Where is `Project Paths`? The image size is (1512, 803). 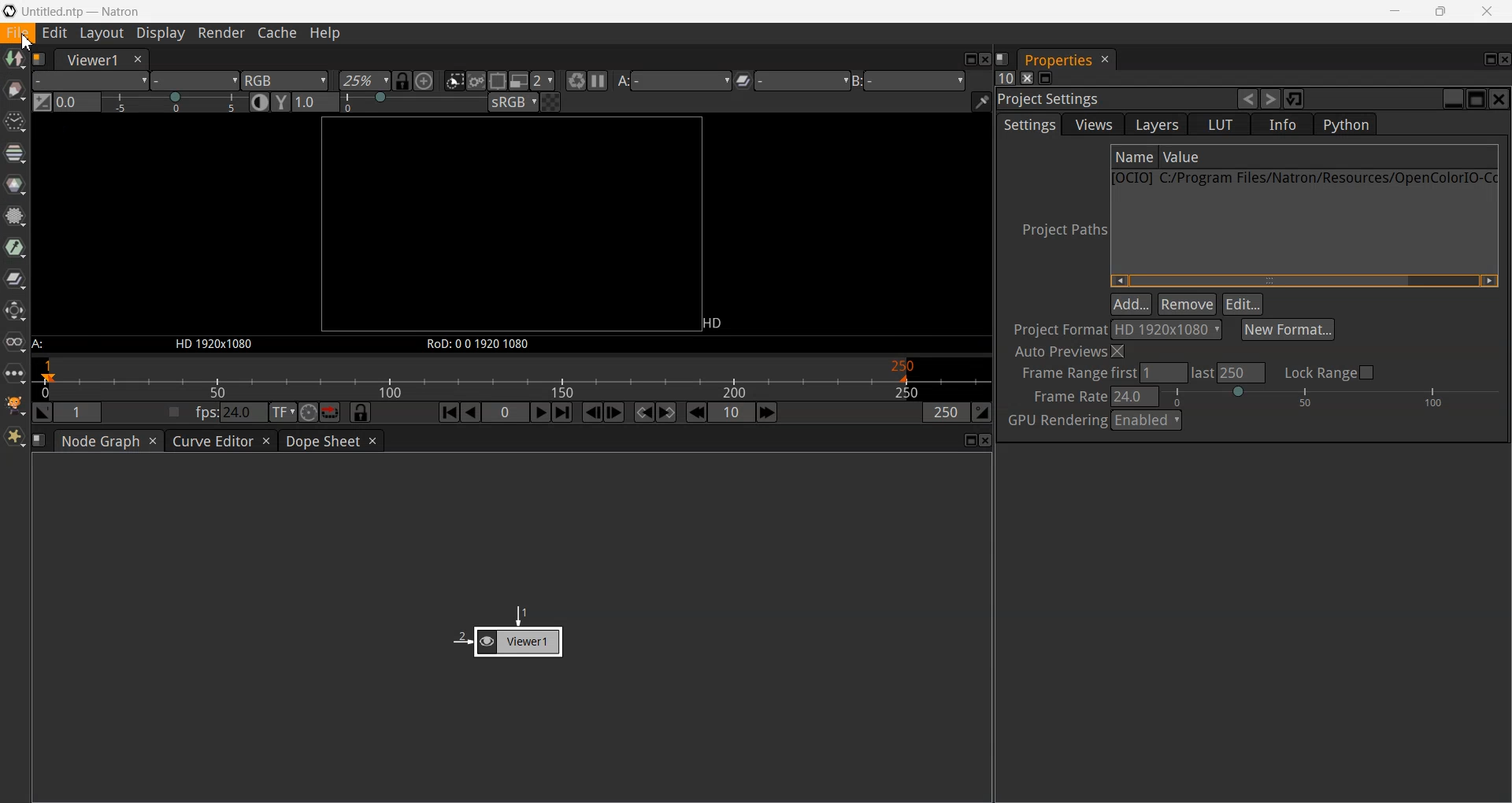 Project Paths is located at coordinates (1058, 229).